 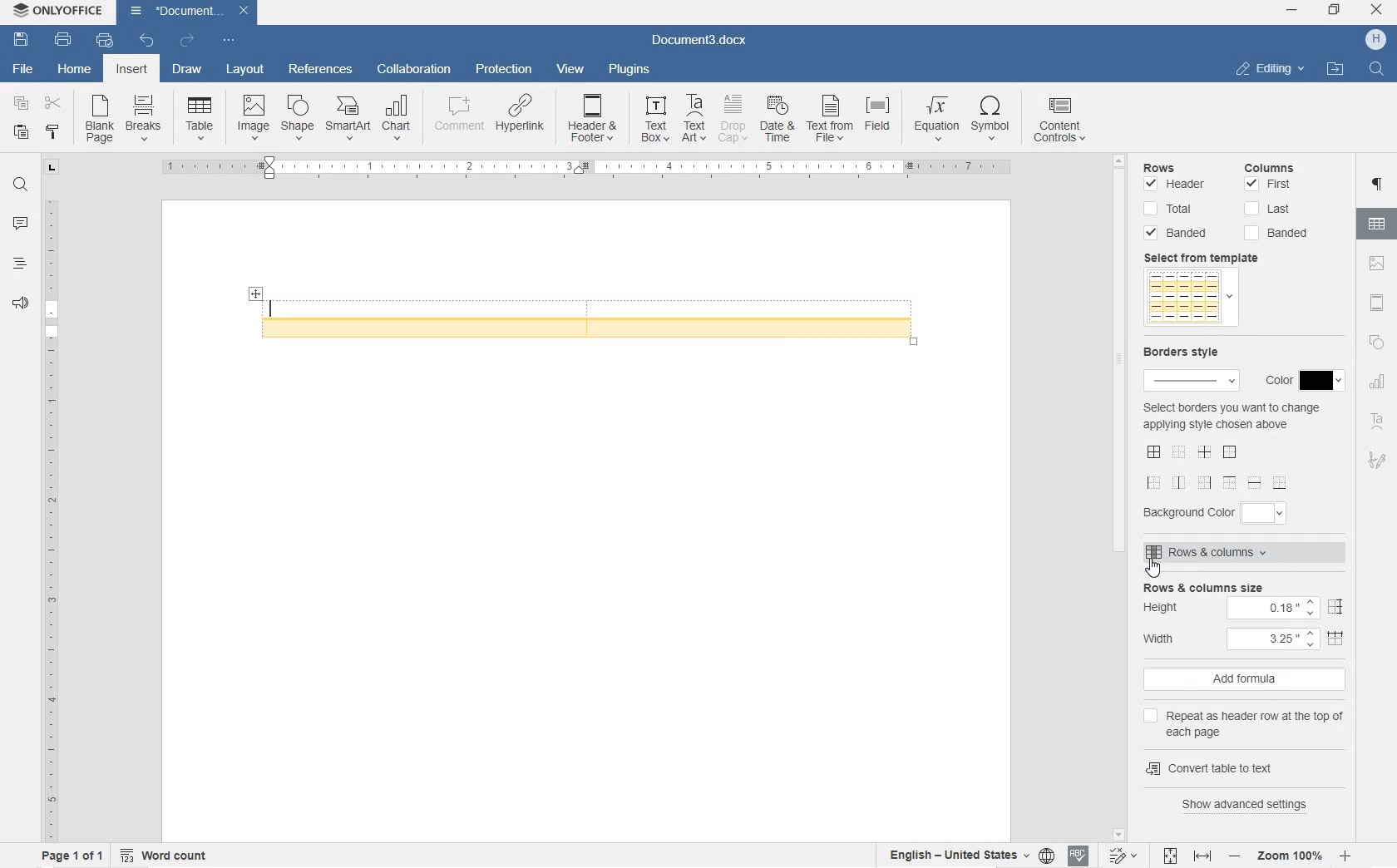 What do you see at coordinates (1375, 345) in the screenshot?
I see `SHAPE` at bounding box center [1375, 345].